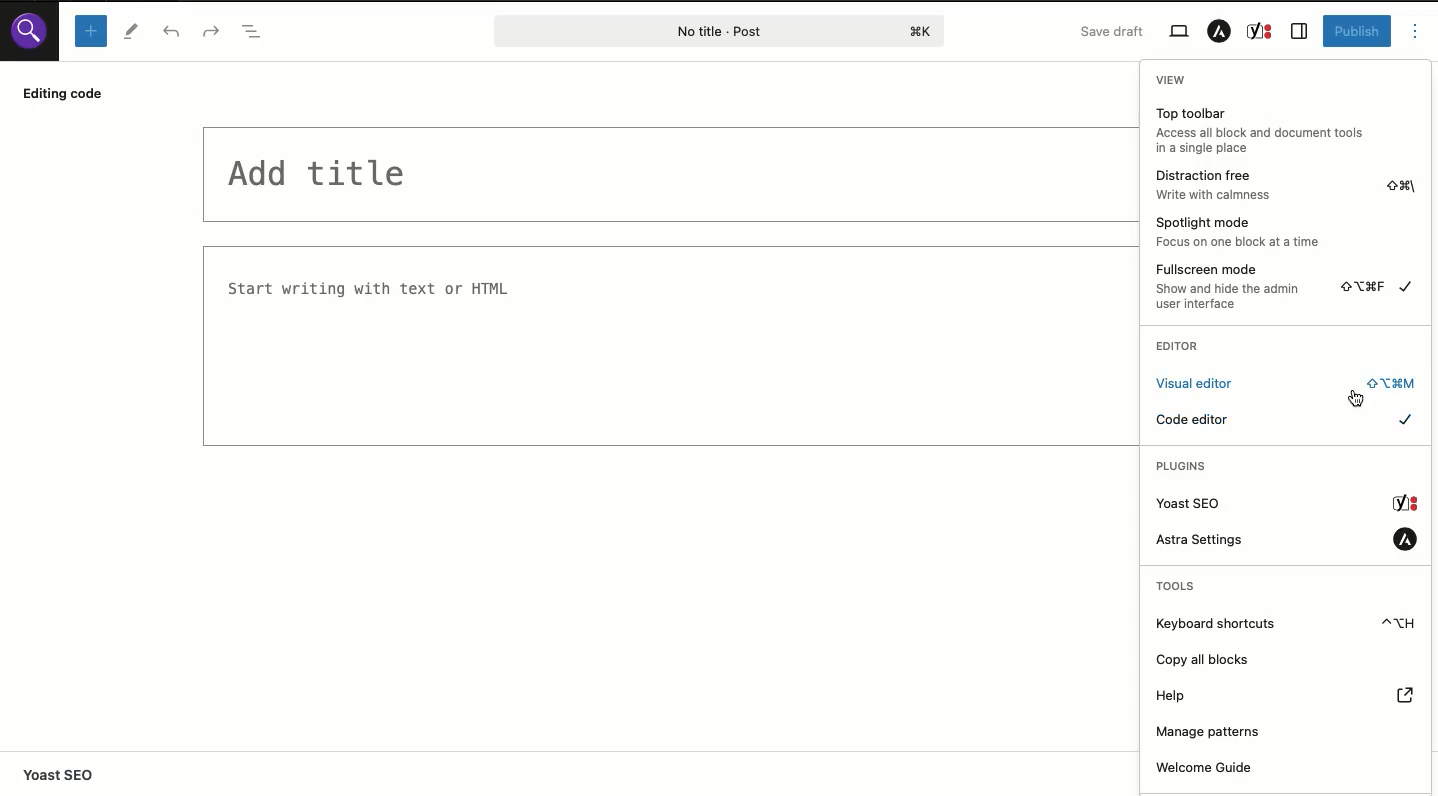 This screenshot has height=796, width=1438. What do you see at coordinates (1202, 657) in the screenshot?
I see `Copy all blocks` at bounding box center [1202, 657].